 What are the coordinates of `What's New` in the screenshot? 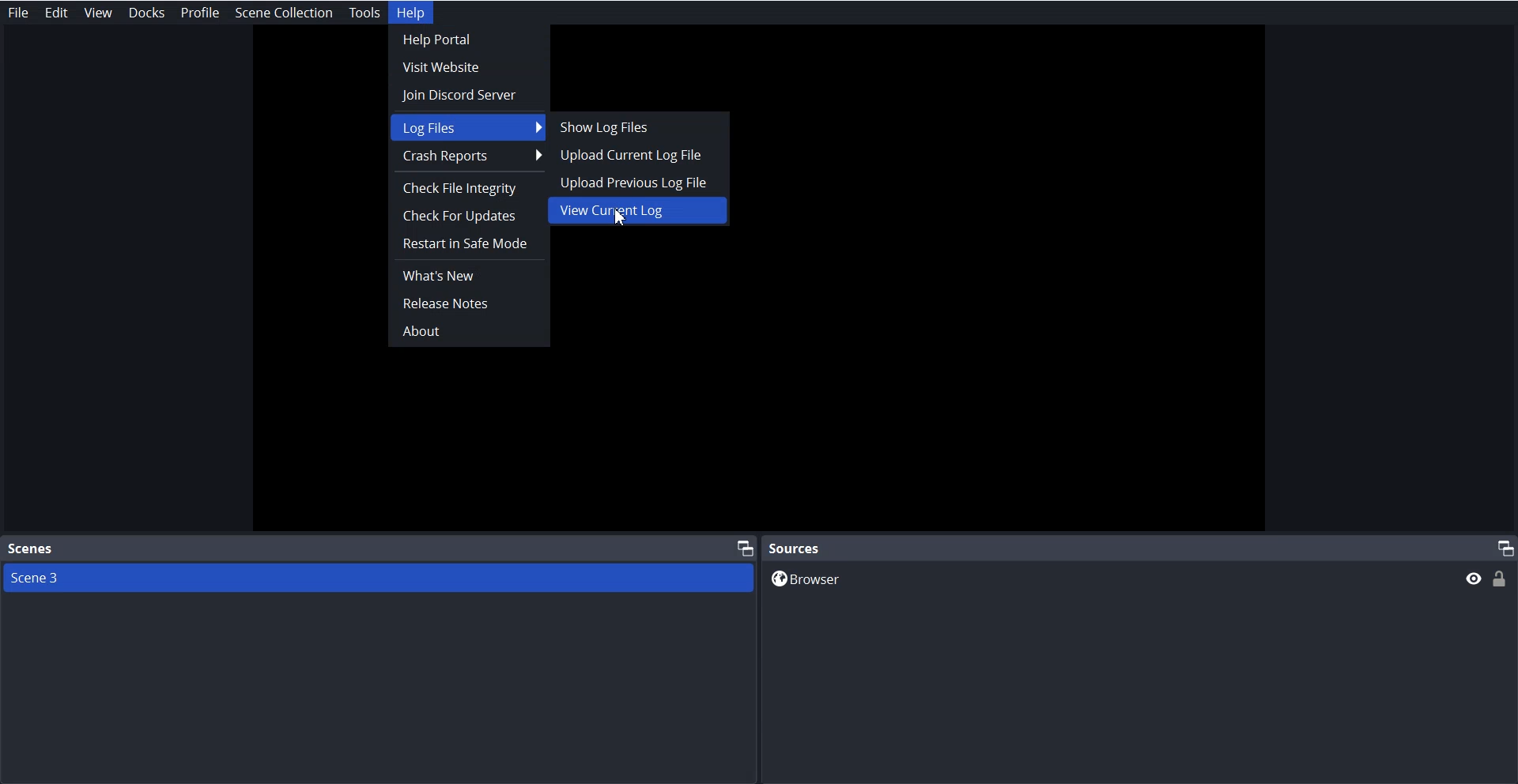 It's located at (467, 274).